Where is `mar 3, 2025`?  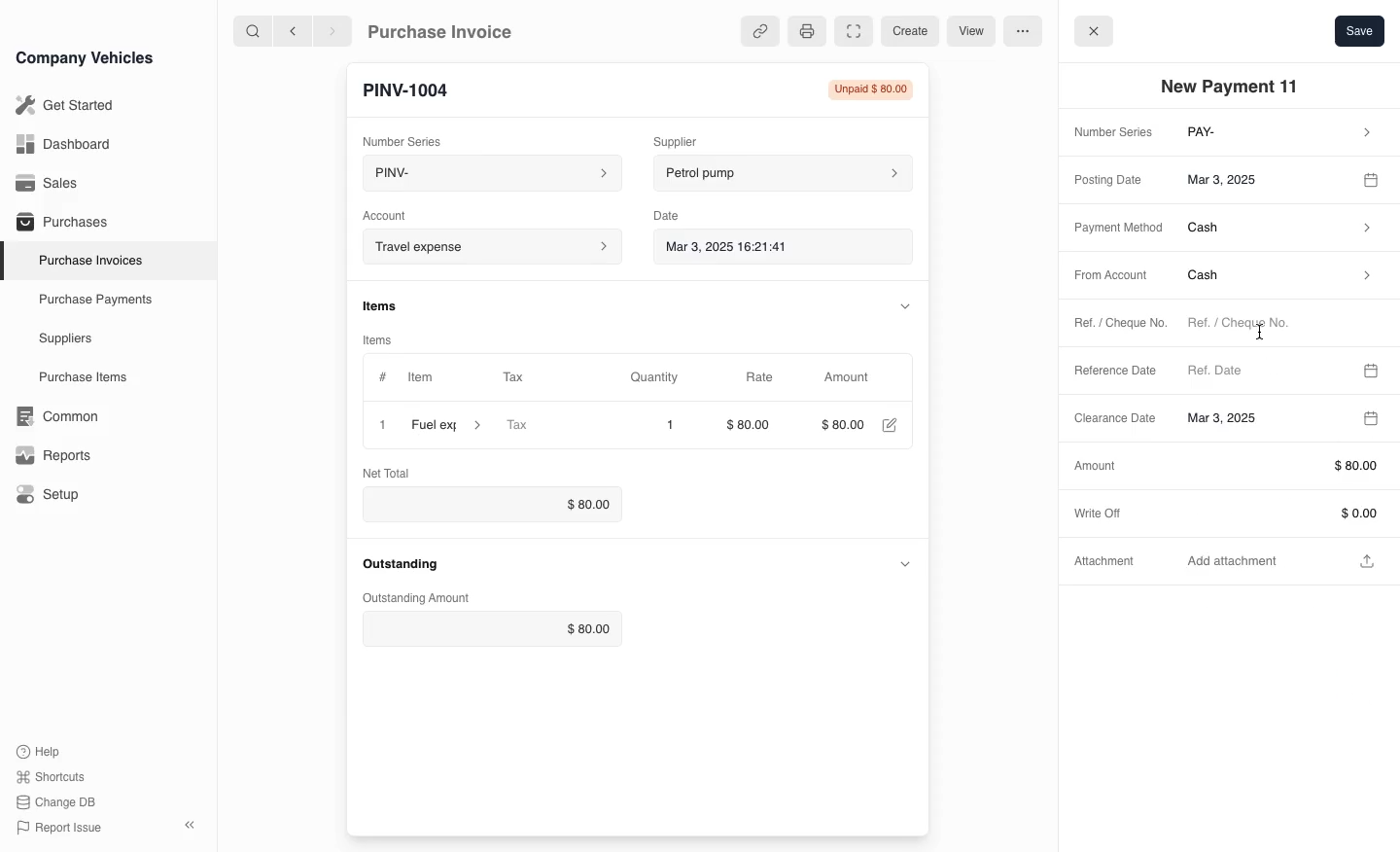 mar 3, 2025 is located at coordinates (1262, 178).